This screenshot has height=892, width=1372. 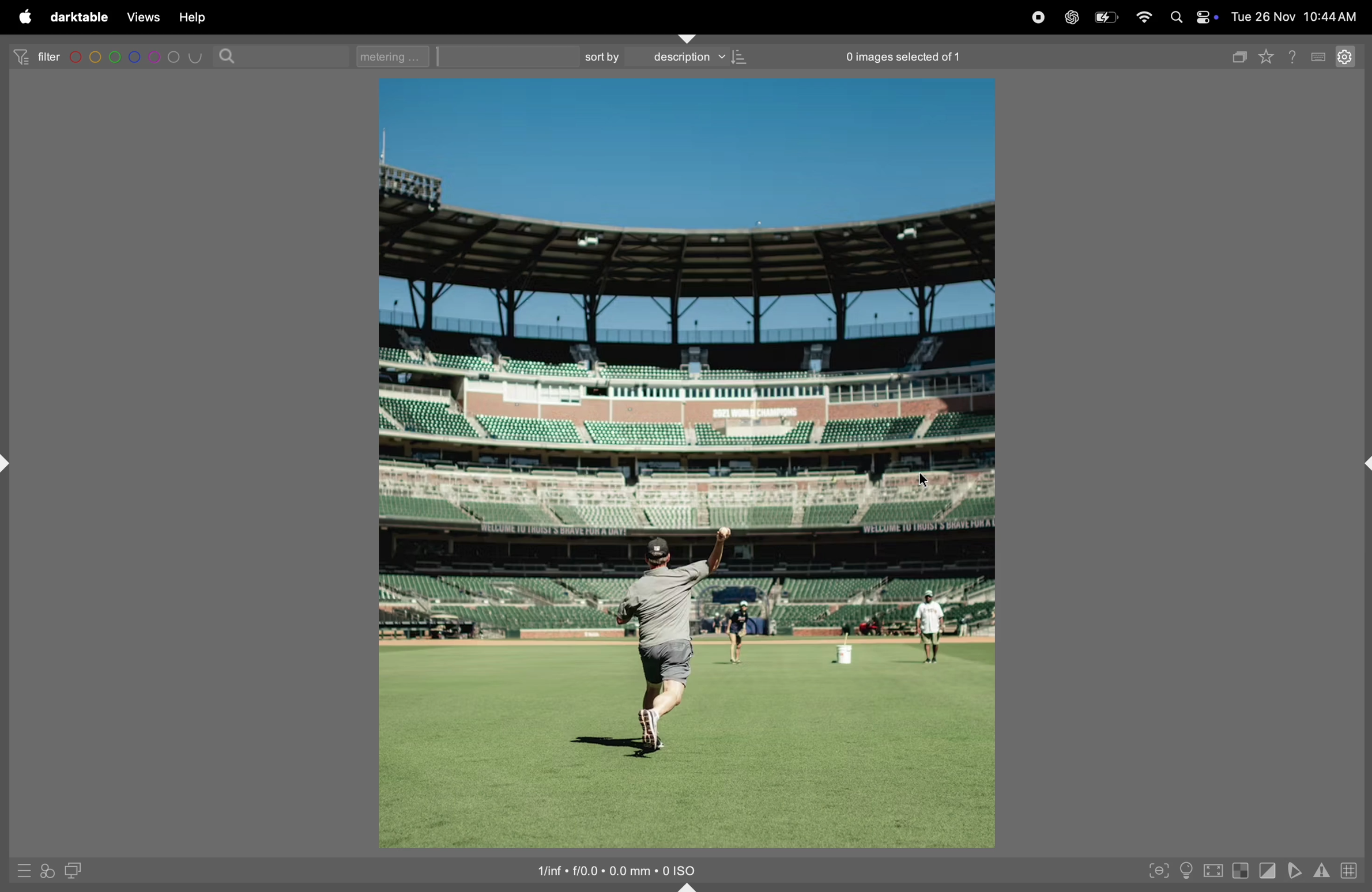 What do you see at coordinates (691, 886) in the screenshot?
I see `shift+ctrl+b` at bounding box center [691, 886].